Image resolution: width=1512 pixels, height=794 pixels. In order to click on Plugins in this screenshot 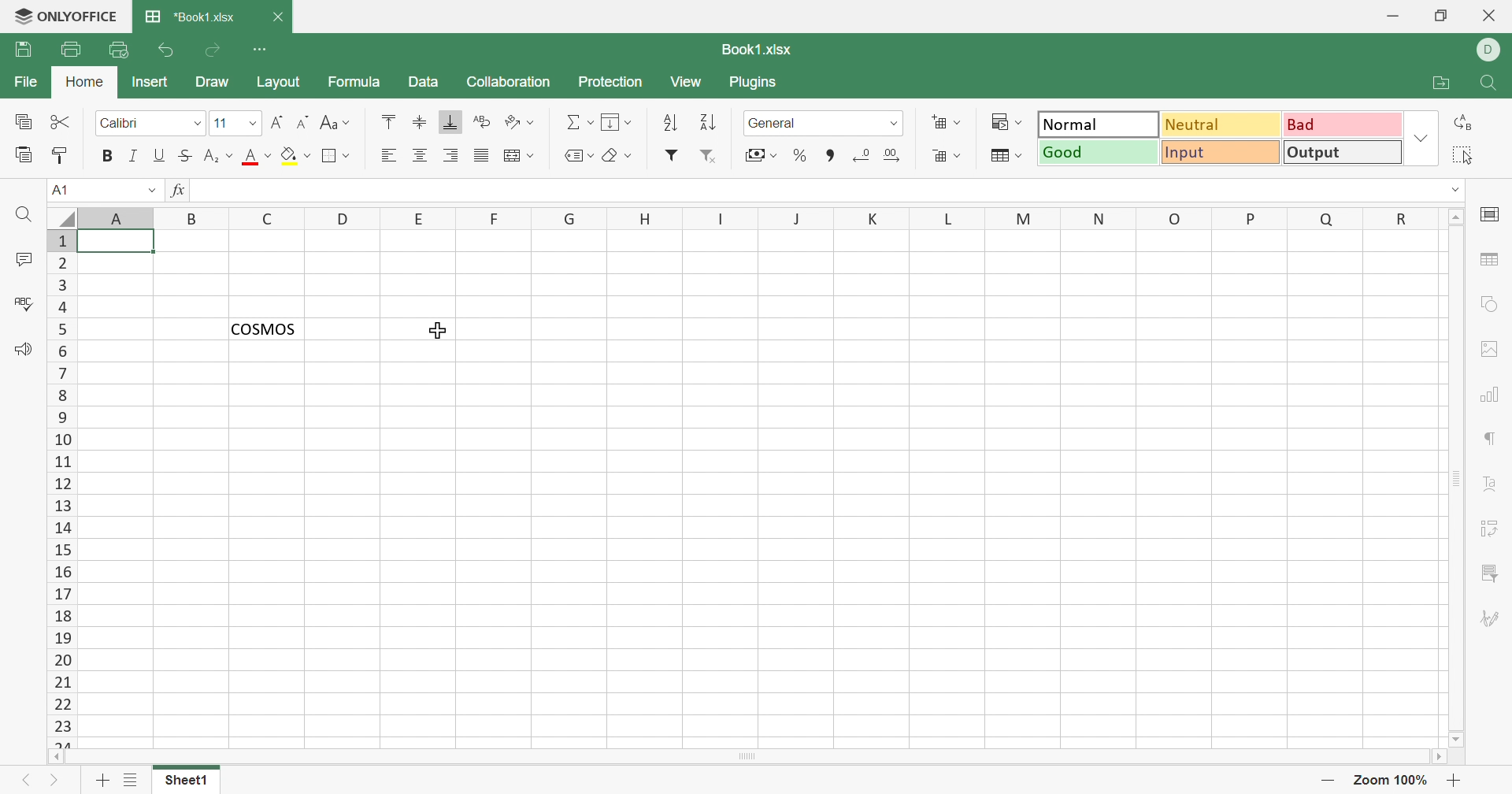, I will do `click(754, 82)`.